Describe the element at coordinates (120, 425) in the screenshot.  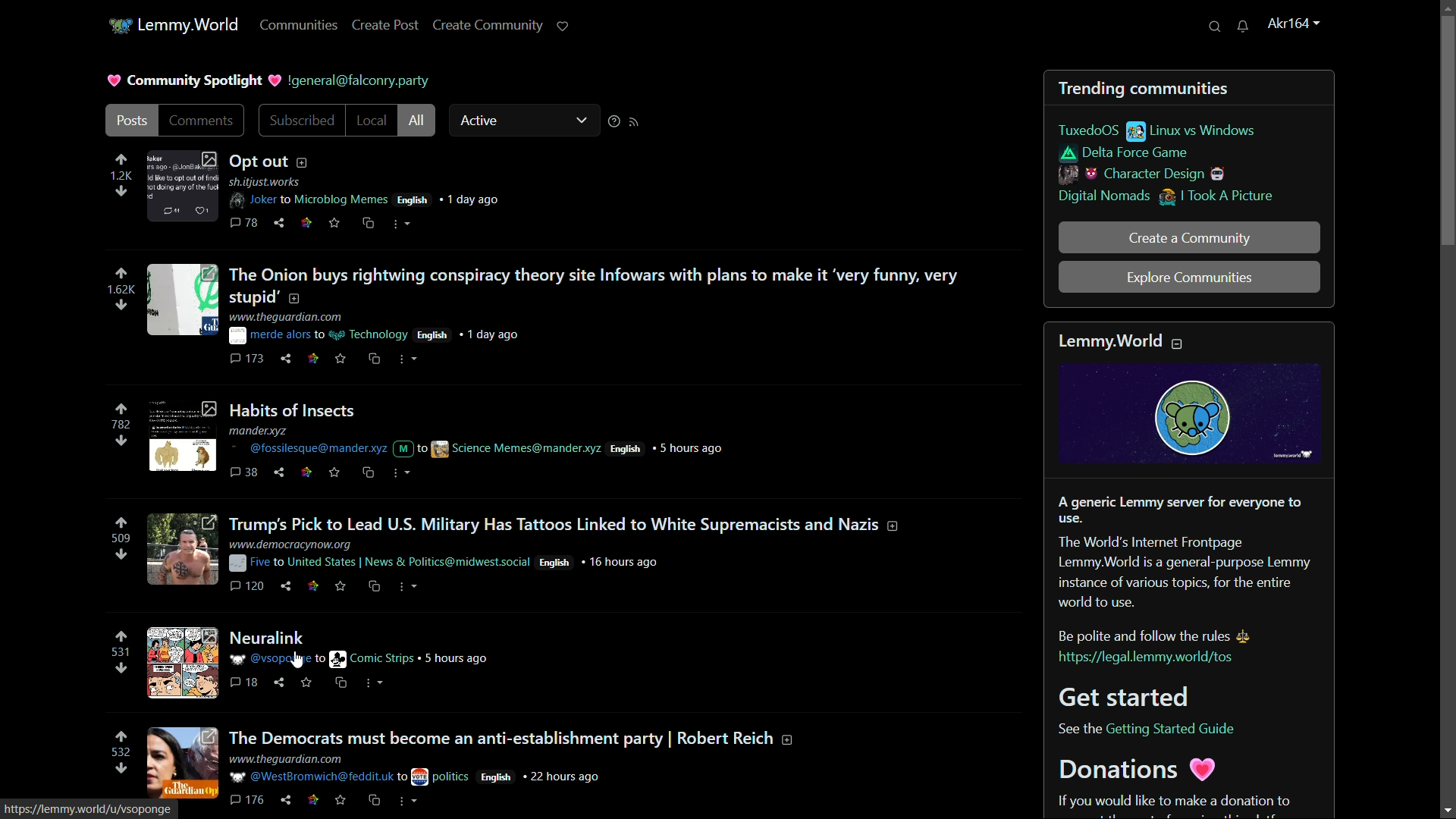
I see `number of votes` at that location.